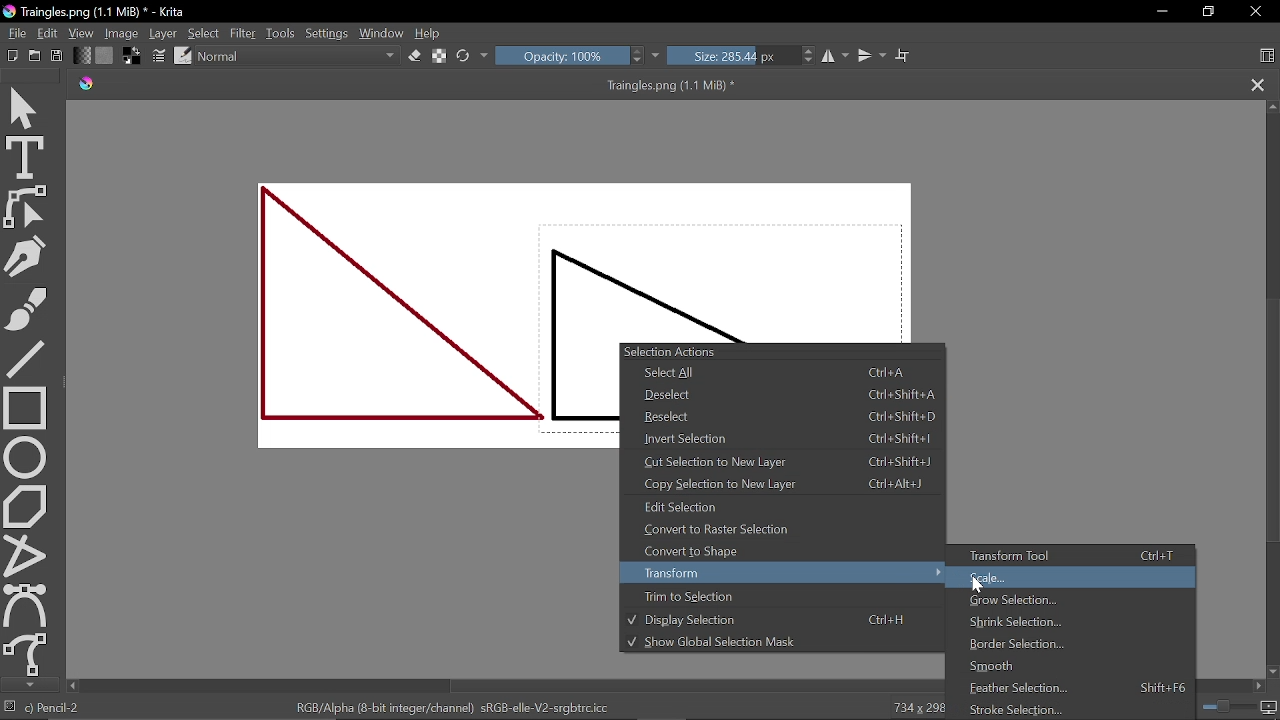 Image resolution: width=1280 pixels, height=720 pixels. What do you see at coordinates (26, 206) in the screenshot?
I see `Edit shapes tool` at bounding box center [26, 206].